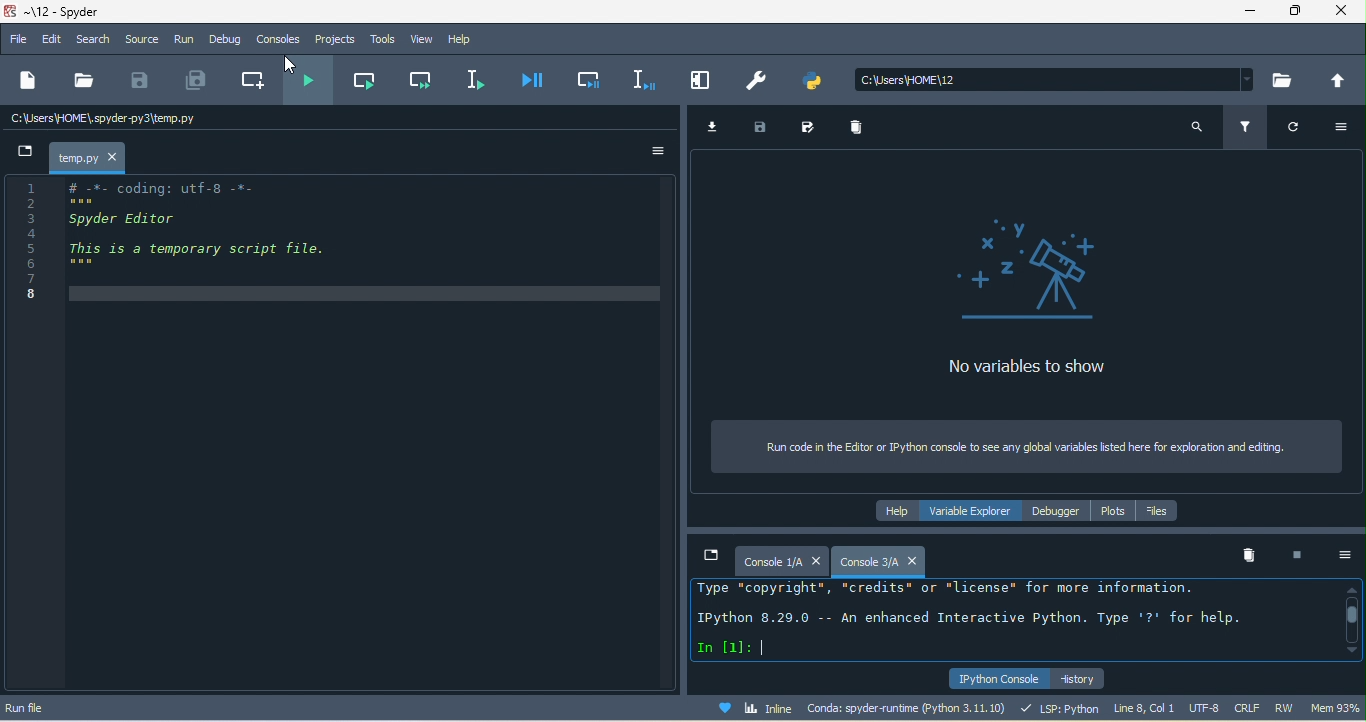  What do you see at coordinates (18, 41) in the screenshot?
I see `file` at bounding box center [18, 41].